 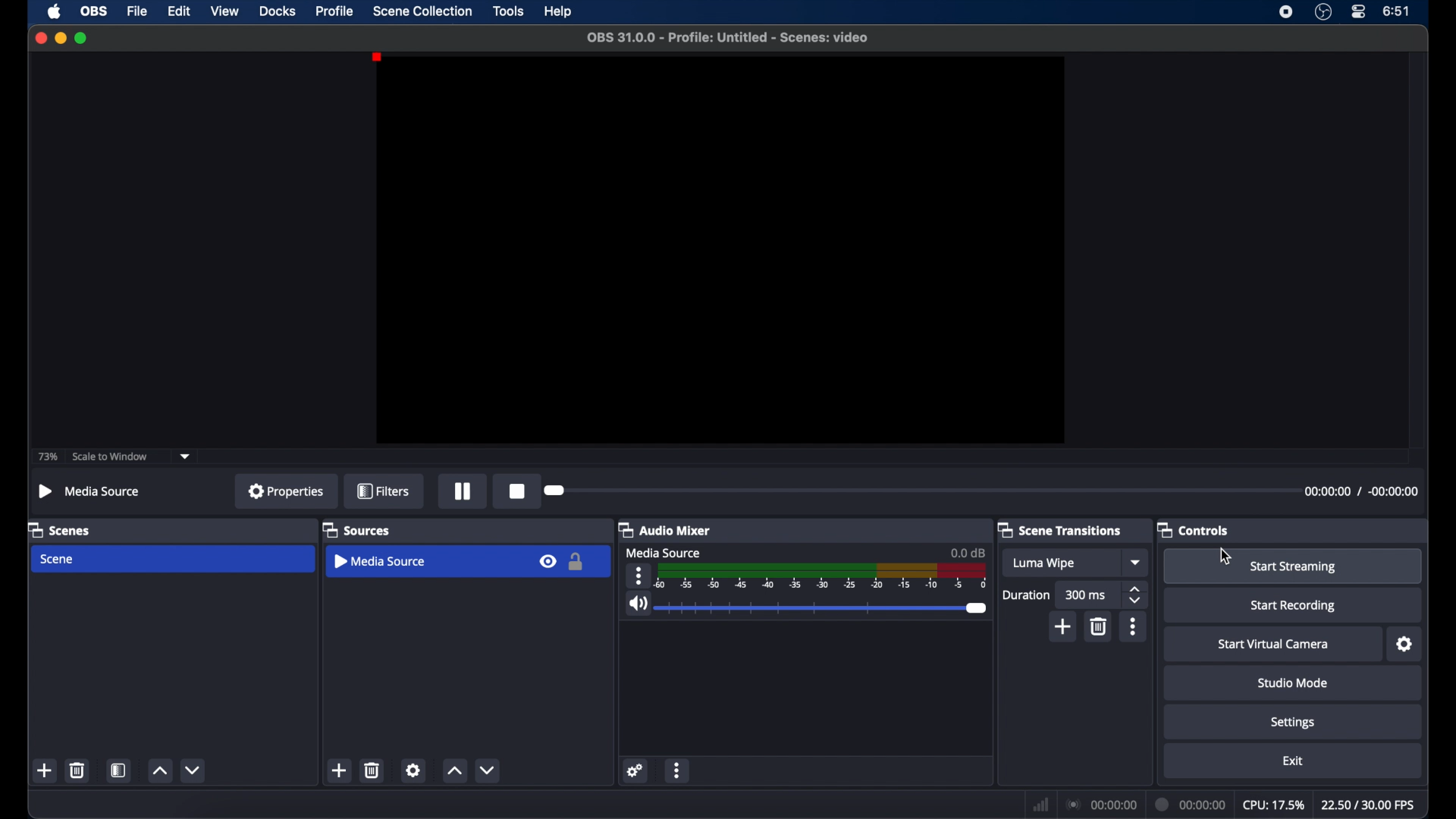 I want to click on cursor, so click(x=1225, y=557).